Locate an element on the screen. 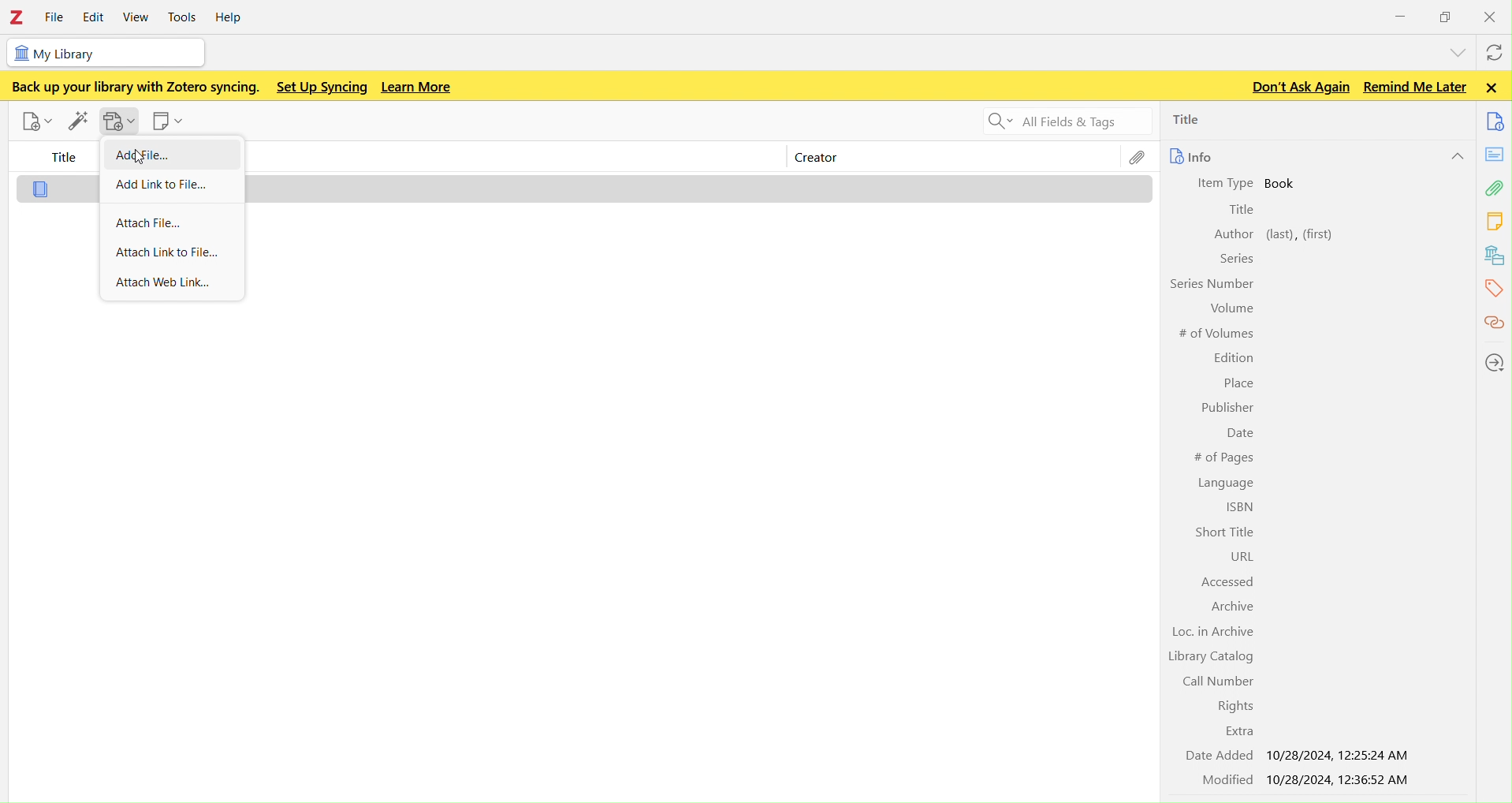 This screenshot has width=1512, height=803. Author is located at coordinates (1233, 235).